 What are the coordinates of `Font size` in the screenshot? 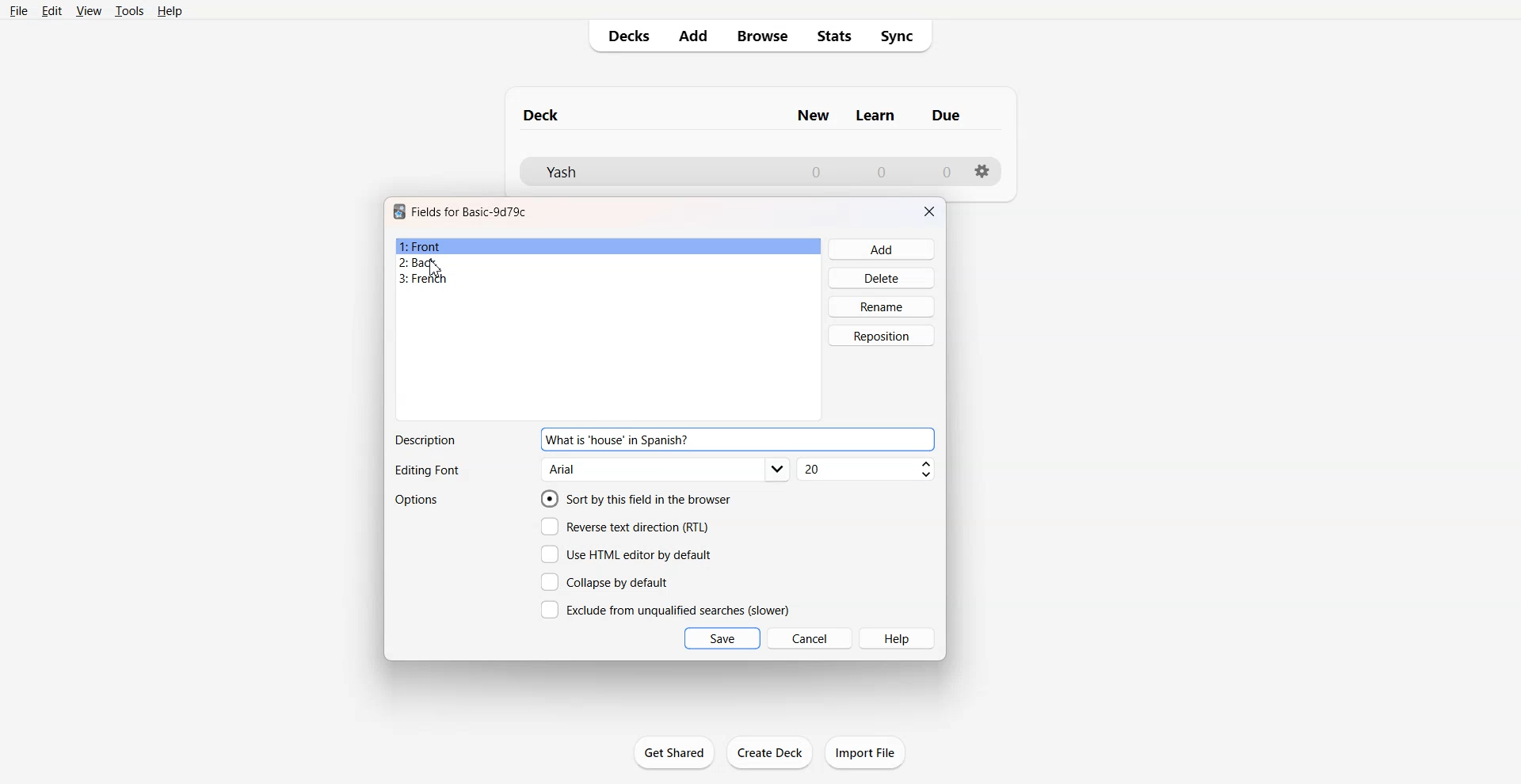 It's located at (867, 470).